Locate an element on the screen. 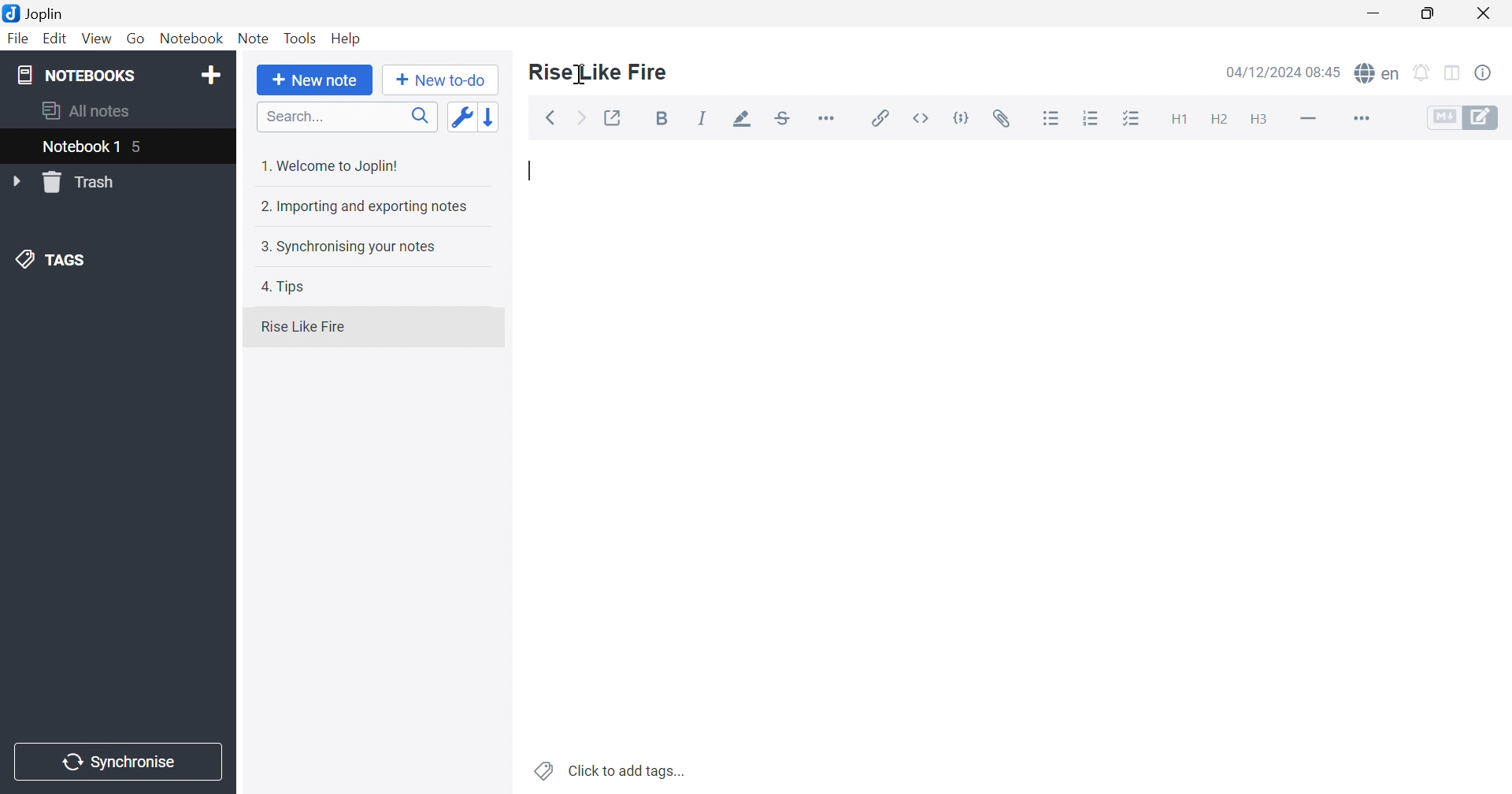 The width and height of the screenshot is (1512, 794). Heading 1 is located at coordinates (1178, 118).